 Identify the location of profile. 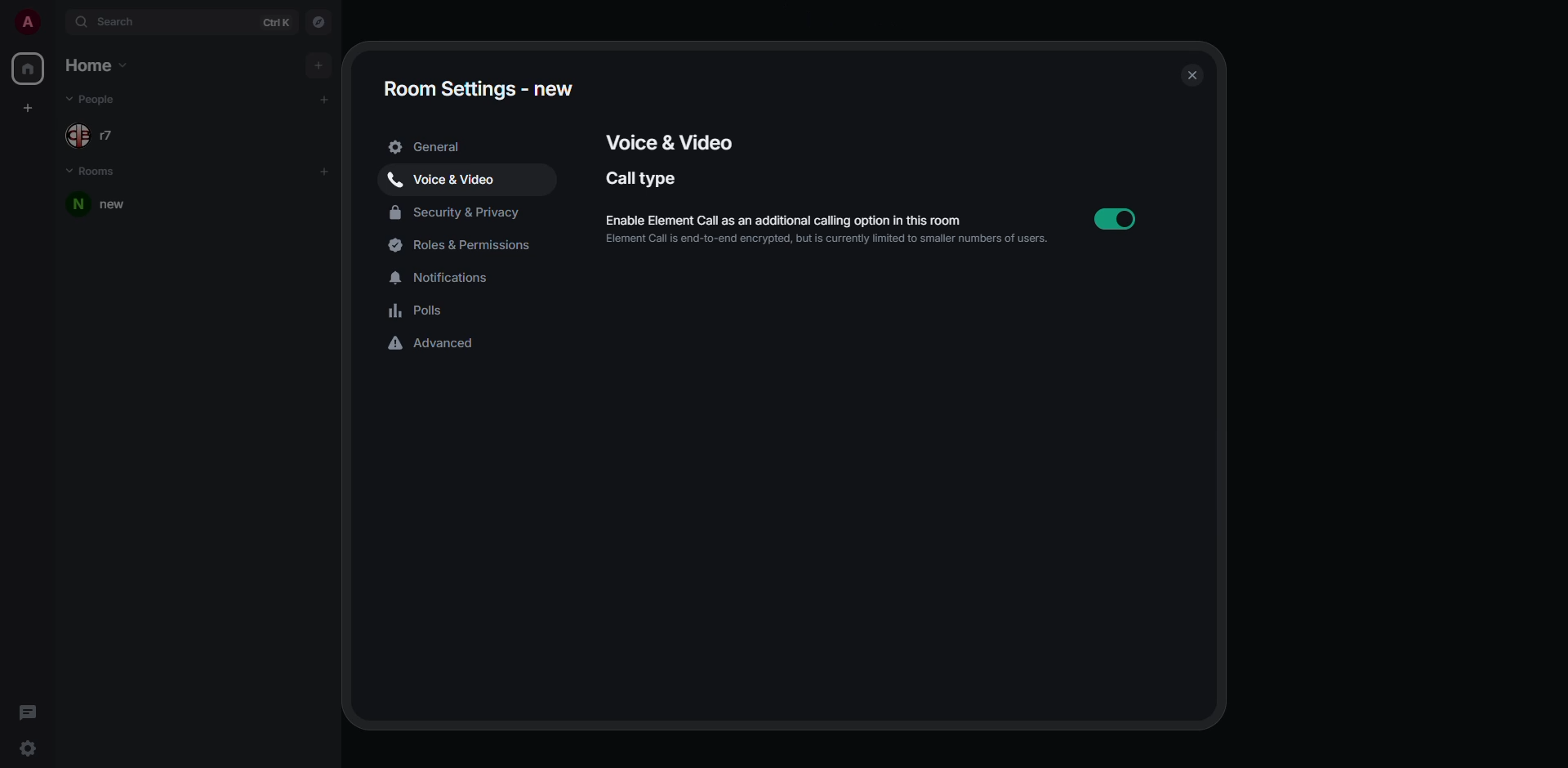
(27, 21).